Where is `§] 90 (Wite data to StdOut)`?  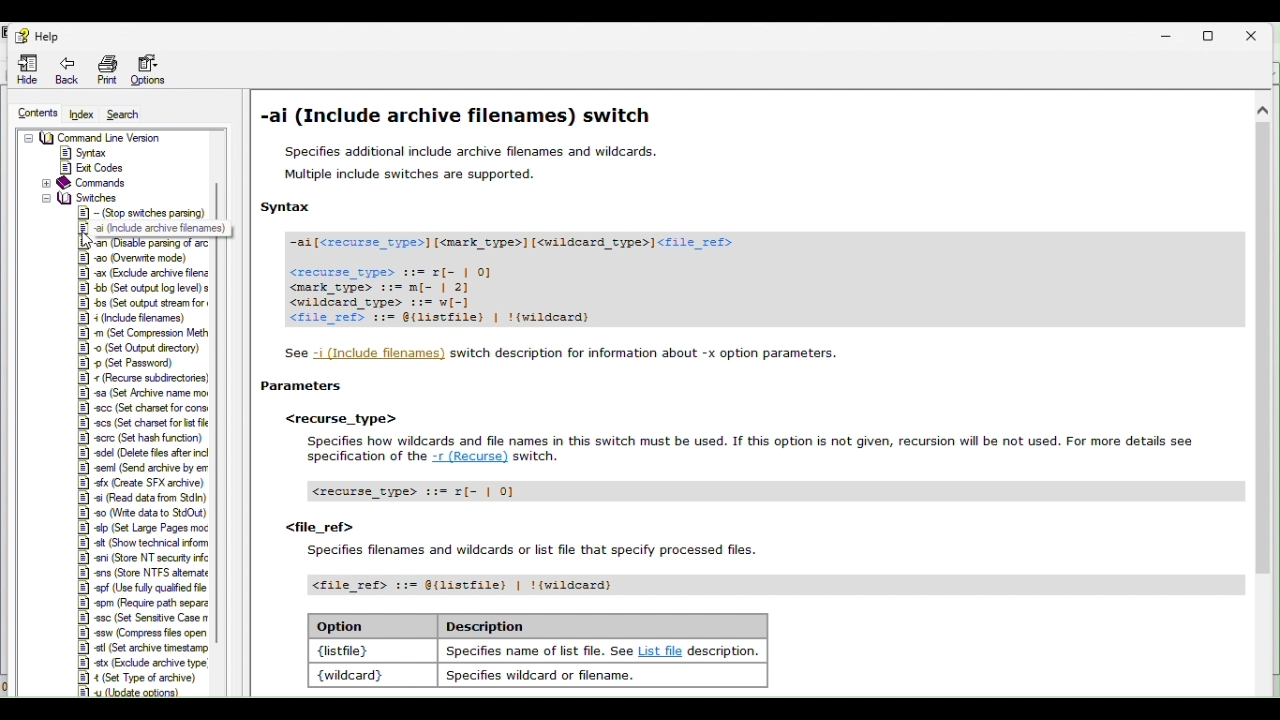
§] 90 (Wite data to StdOut) is located at coordinates (145, 512).